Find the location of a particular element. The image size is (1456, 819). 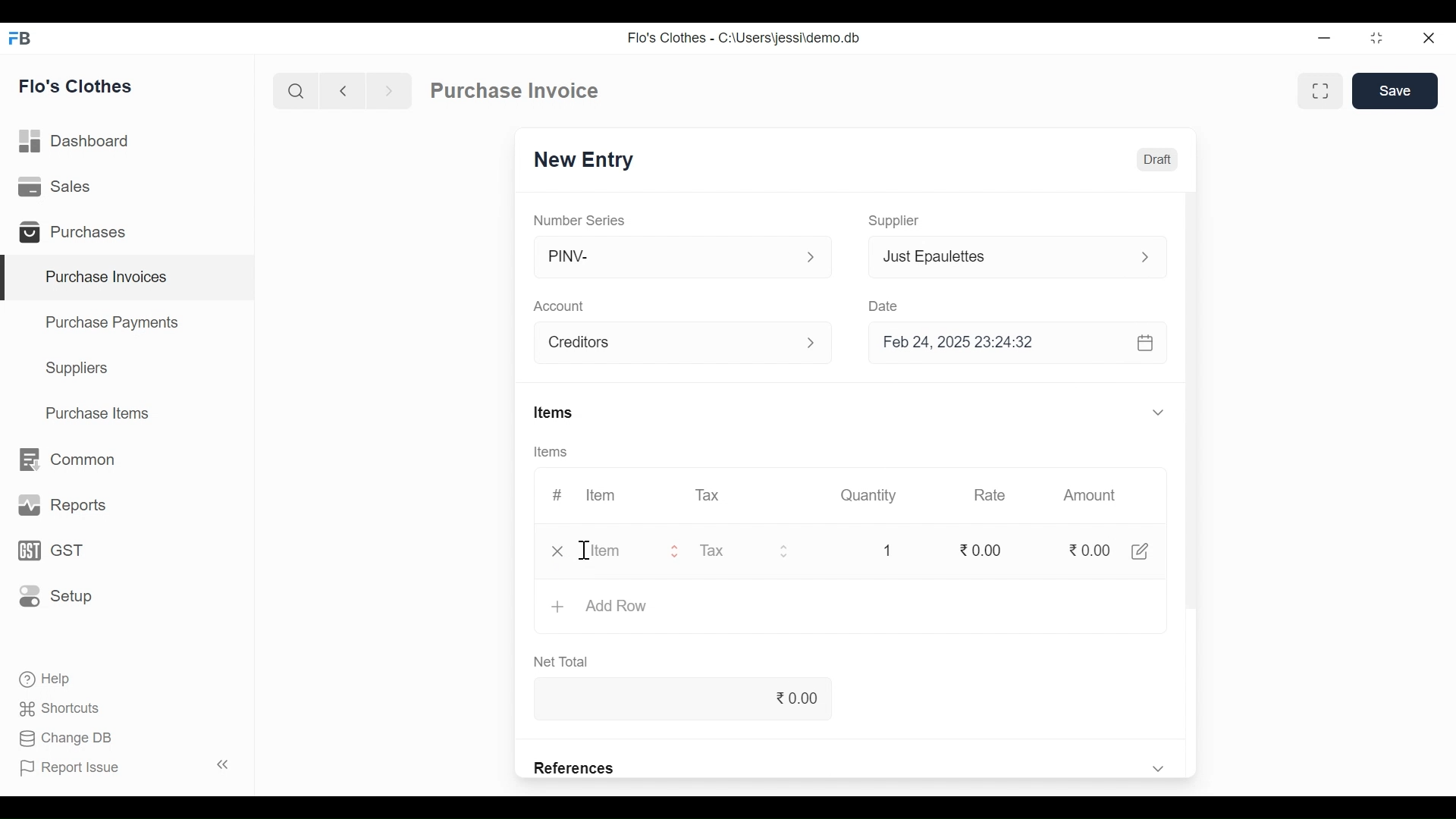

Account is located at coordinates (560, 306).